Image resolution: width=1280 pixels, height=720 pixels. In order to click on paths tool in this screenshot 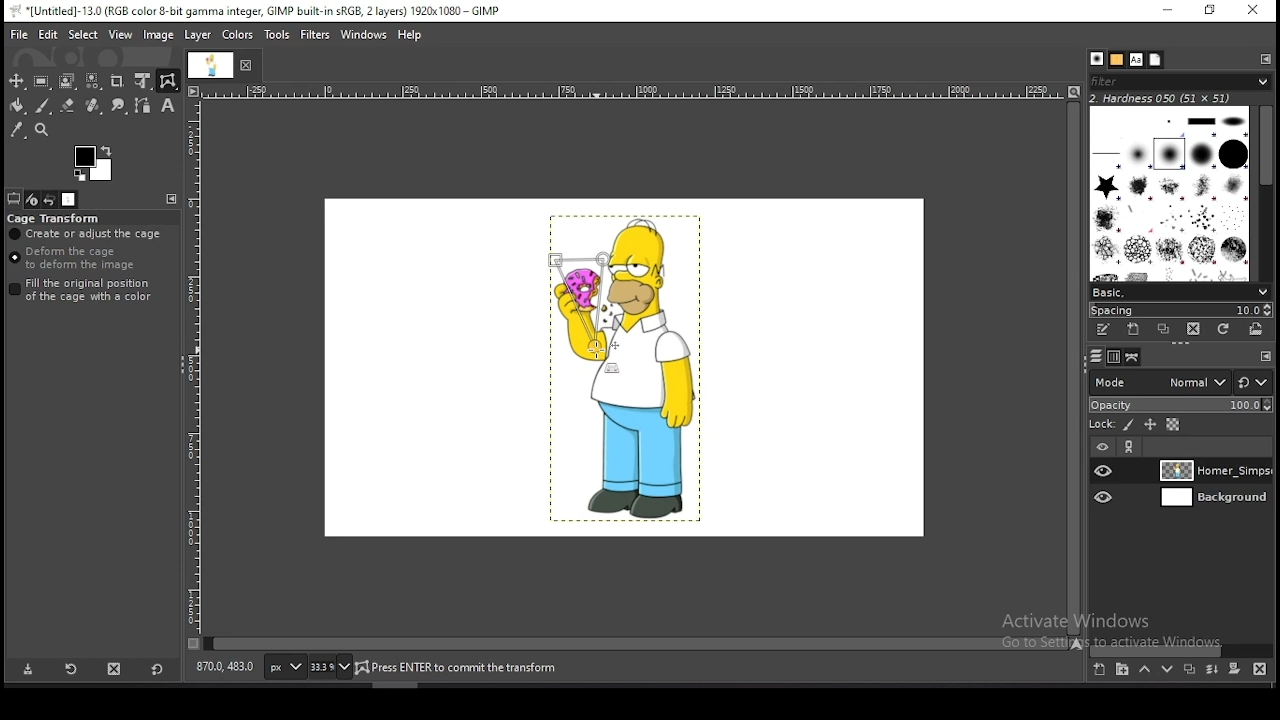, I will do `click(142, 105)`.